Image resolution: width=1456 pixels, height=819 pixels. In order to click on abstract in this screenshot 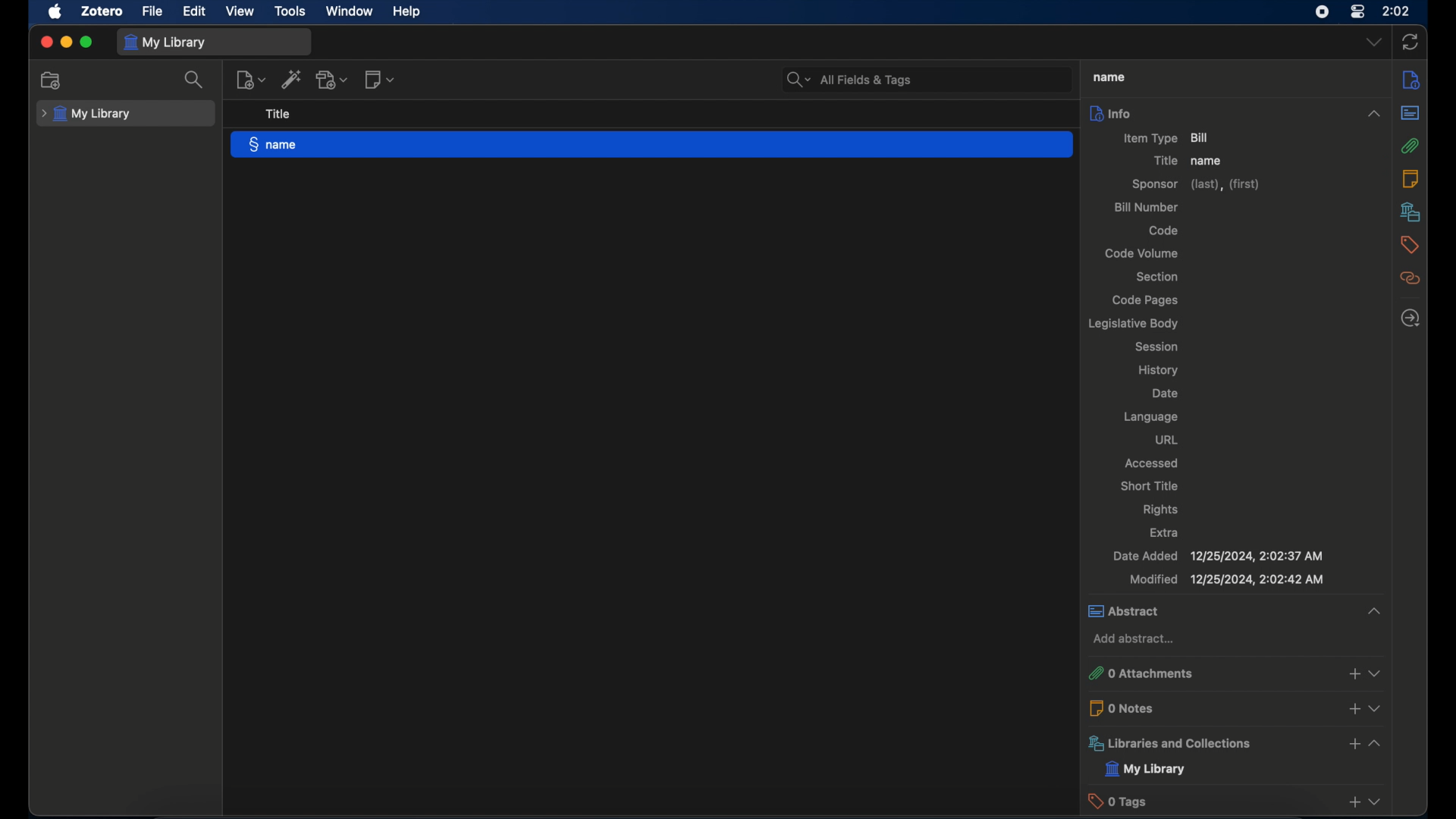, I will do `click(1410, 112)`.